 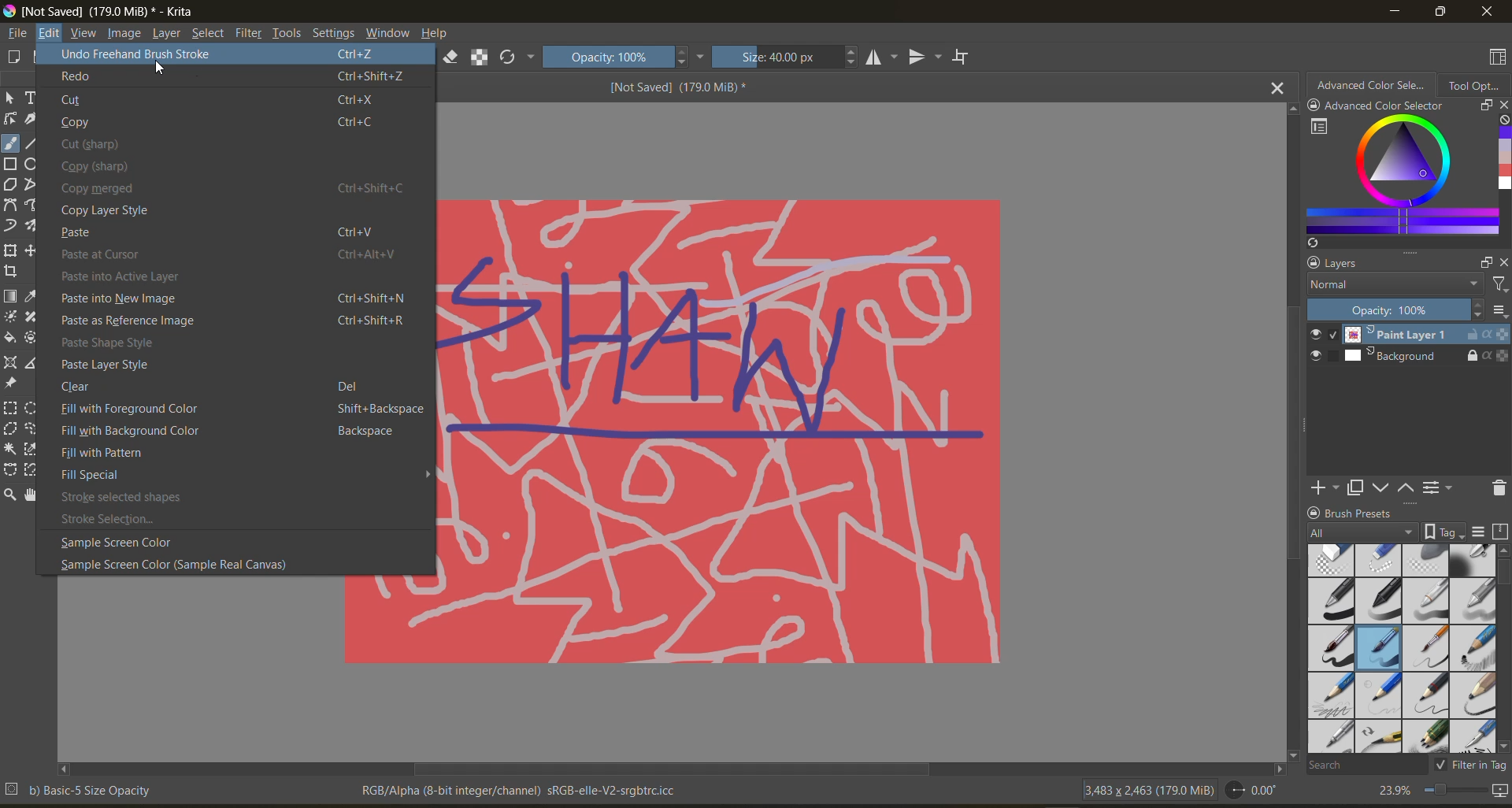 I want to click on scroll up, so click(x=1288, y=109).